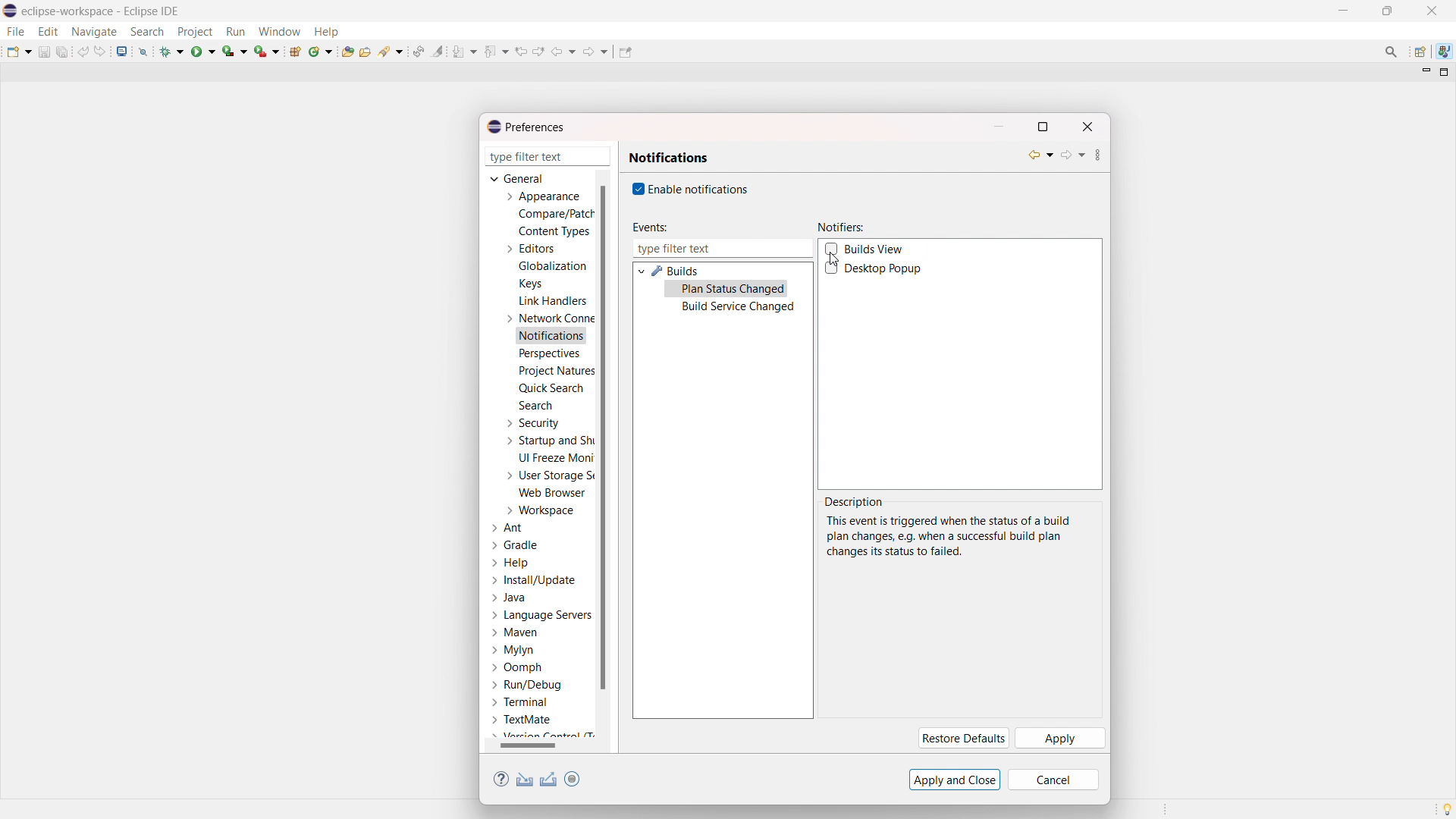 This screenshot has height=819, width=1456. Describe the element at coordinates (513, 651) in the screenshot. I see `mylyn` at that location.